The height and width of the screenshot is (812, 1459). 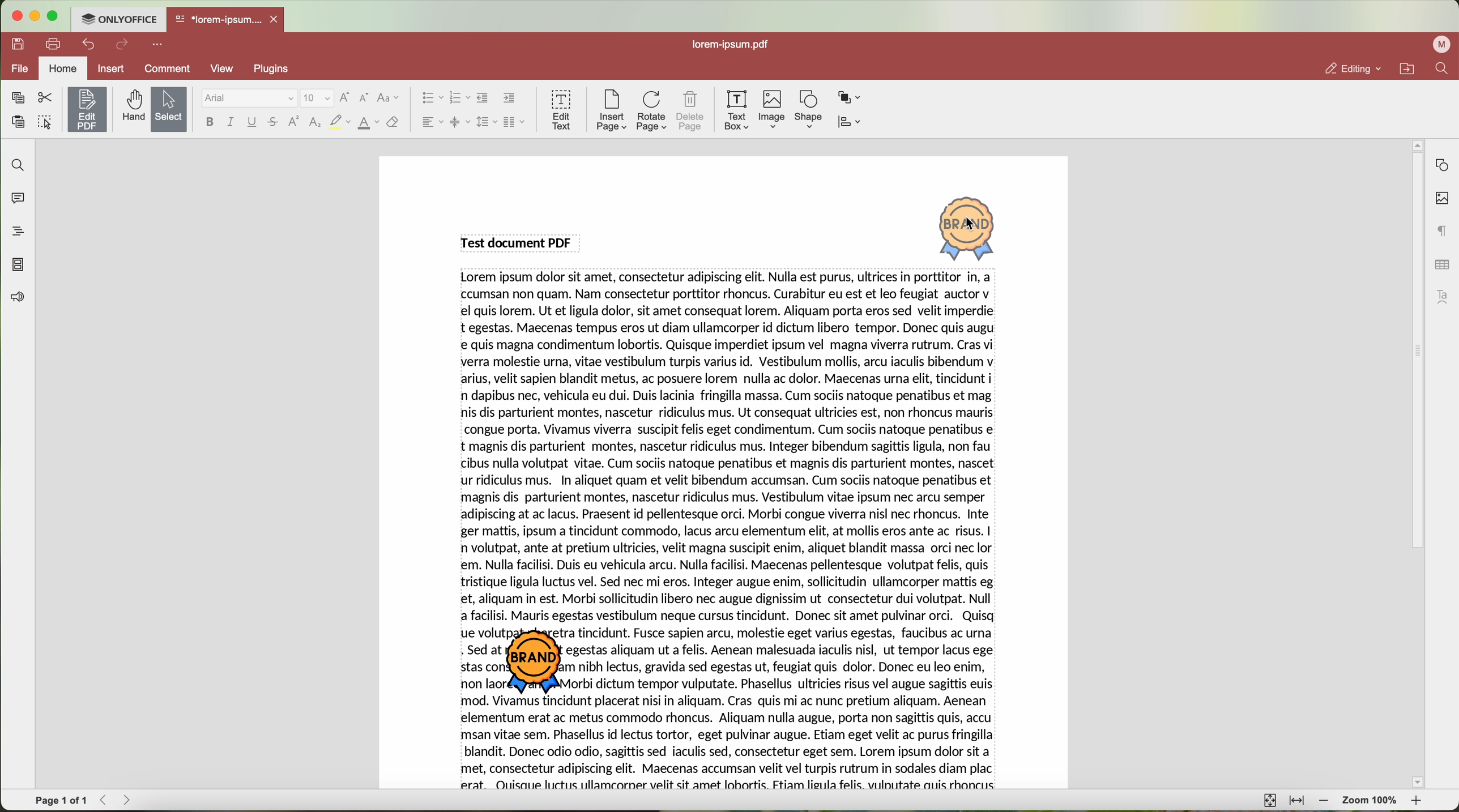 I want to click on Test document PDF, so click(x=519, y=242).